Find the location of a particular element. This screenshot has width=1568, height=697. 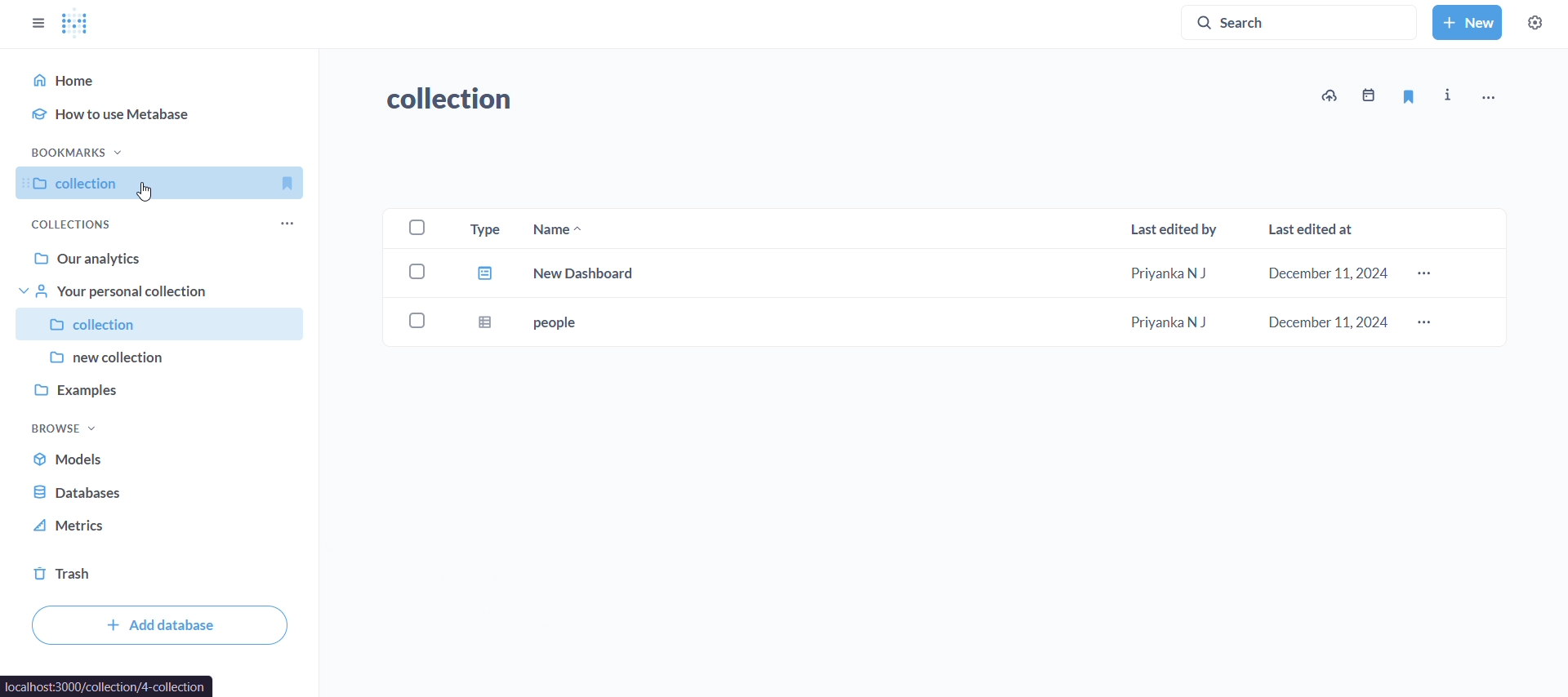

collection is located at coordinates (167, 182).